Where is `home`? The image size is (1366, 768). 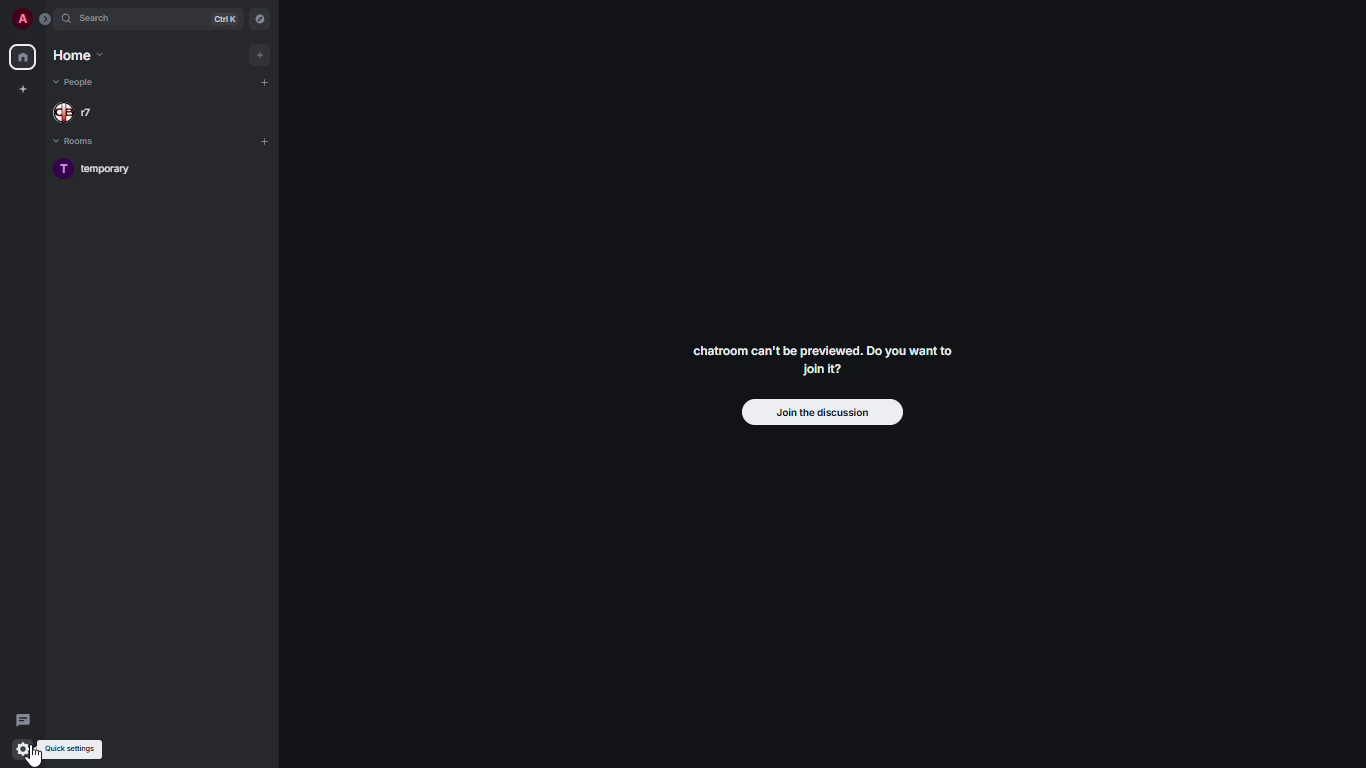 home is located at coordinates (81, 55).